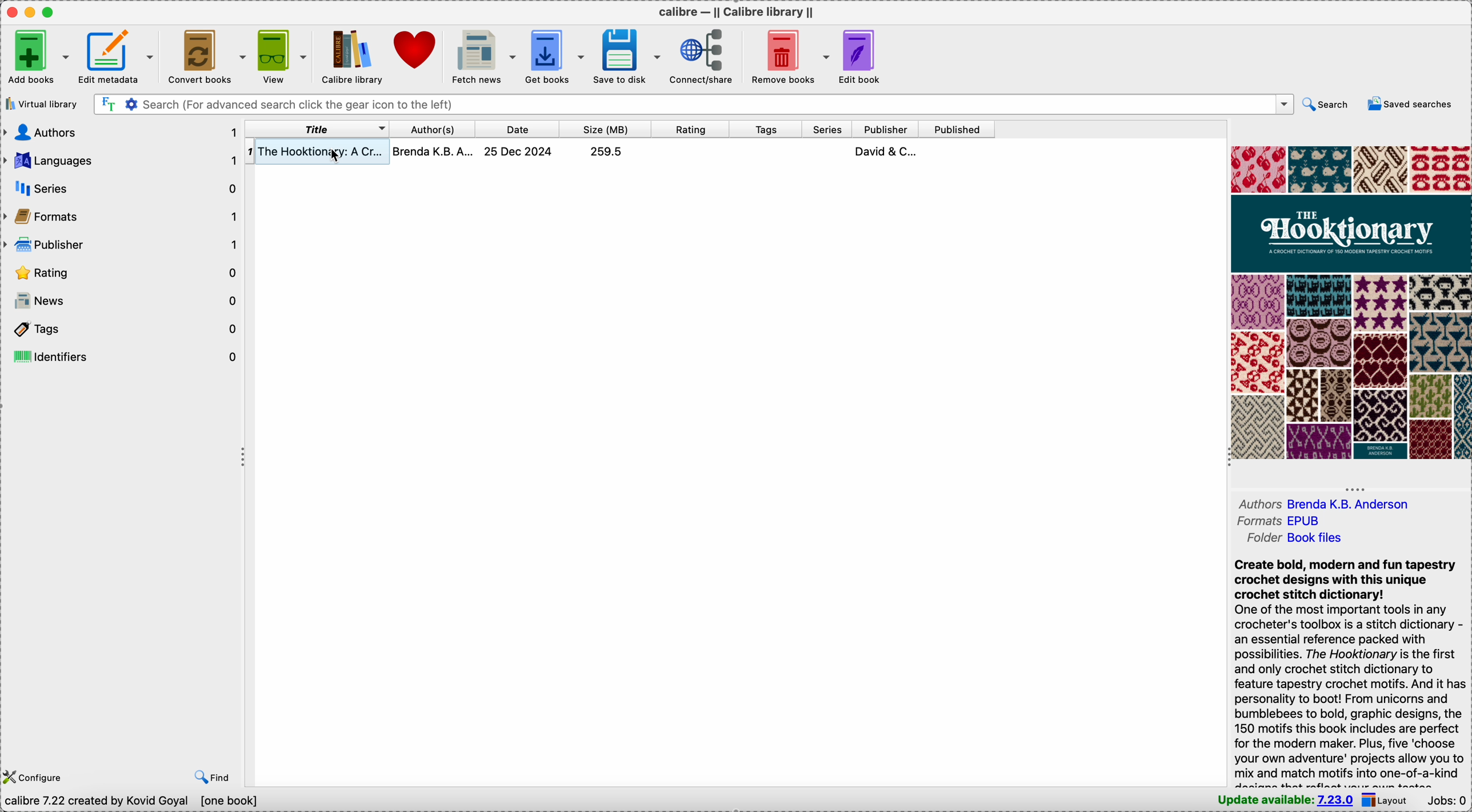  What do you see at coordinates (602, 129) in the screenshot?
I see `size` at bounding box center [602, 129].